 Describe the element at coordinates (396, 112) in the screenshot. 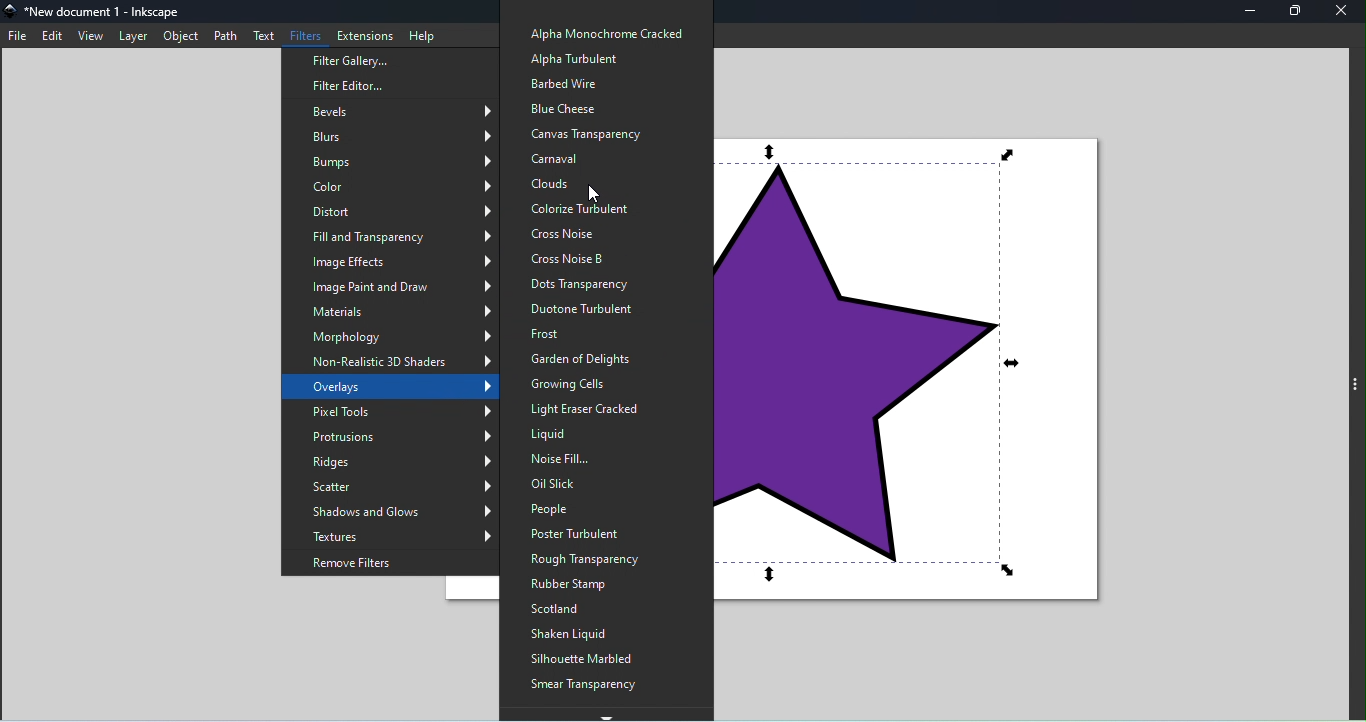

I see `Bevels` at that location.